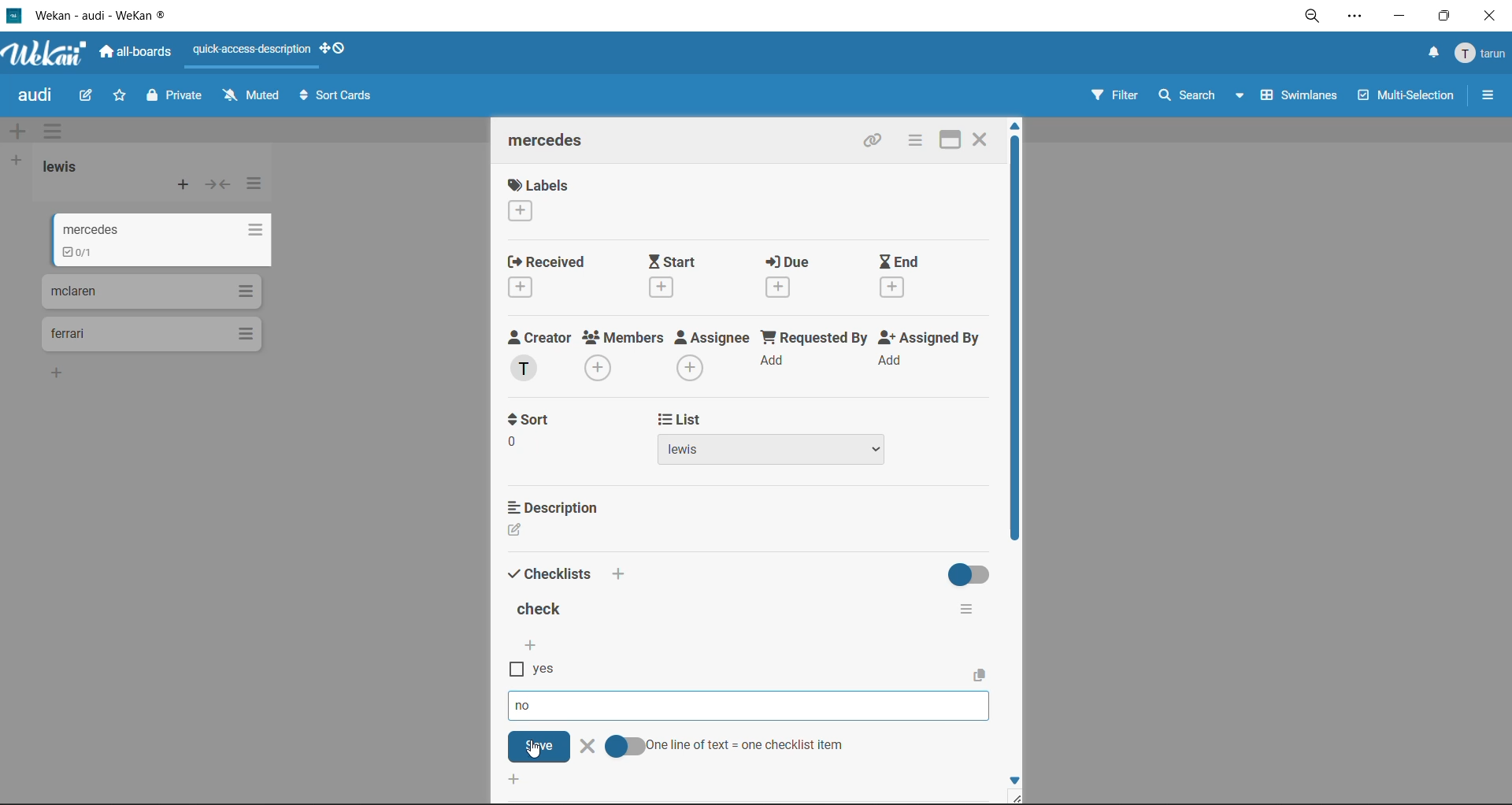 The width and height of the screenshot is (1512, 805). I want to click on add card, so click(184, 188).